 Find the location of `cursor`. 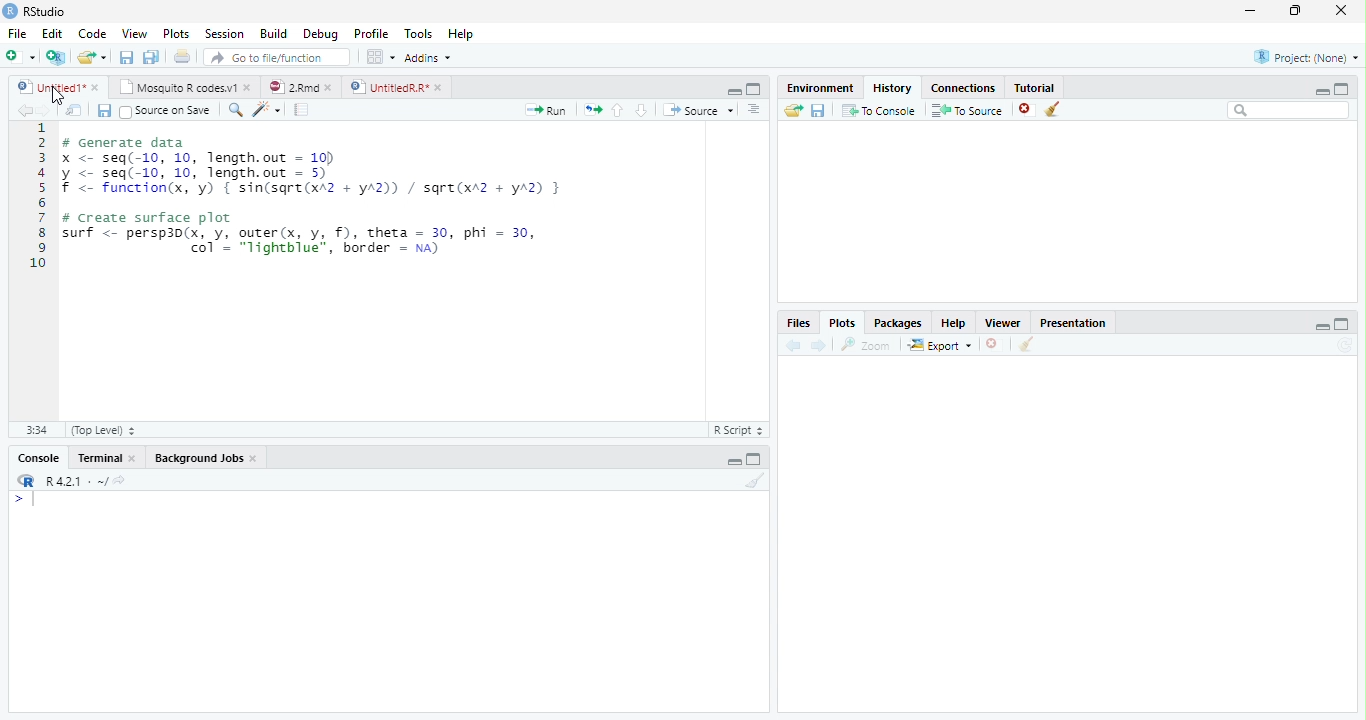

cursor is located at coordinates (57, 96).